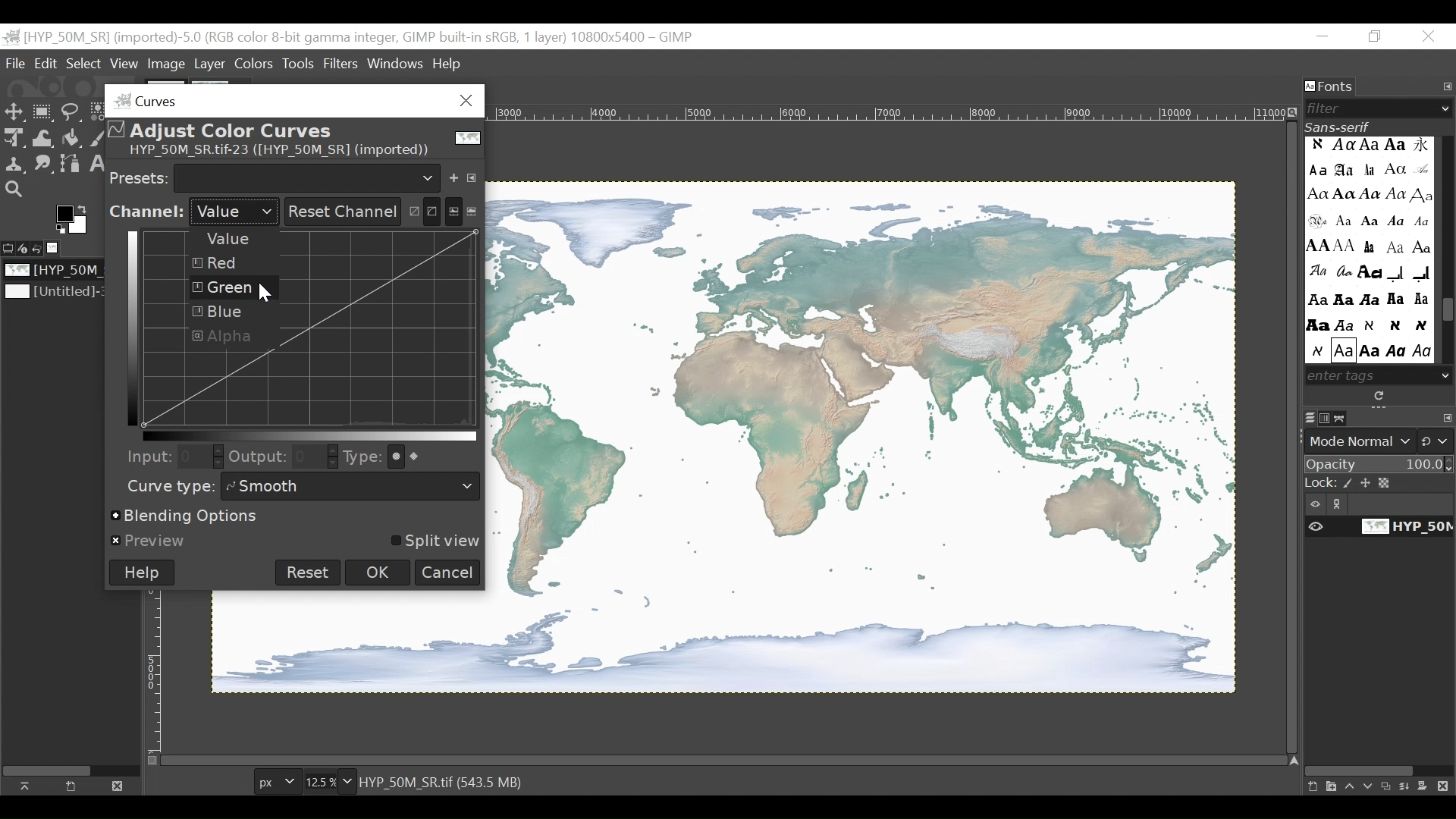  I want to click on Lock, so click(1380, 484).